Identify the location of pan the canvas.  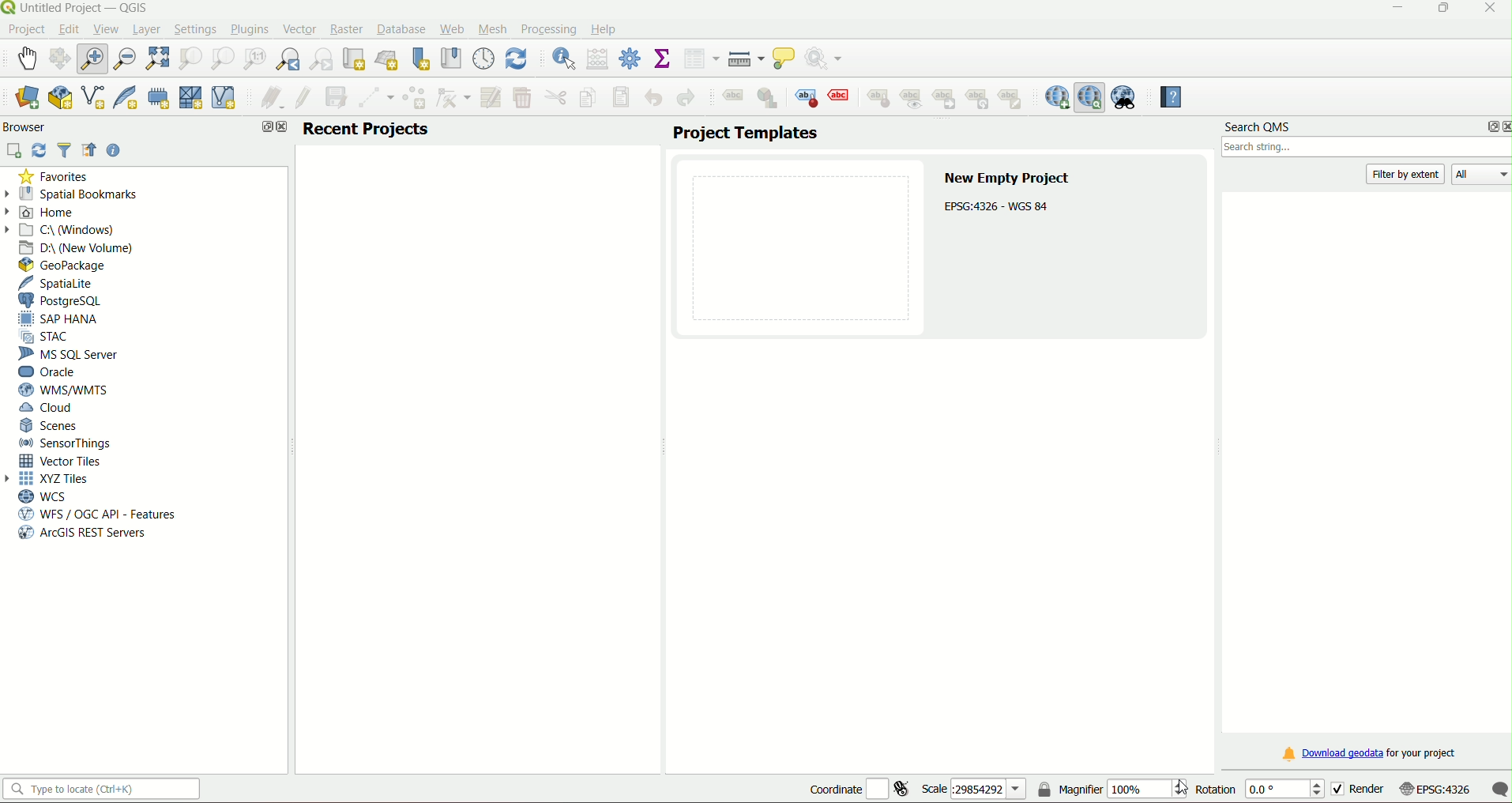
(62, 58).